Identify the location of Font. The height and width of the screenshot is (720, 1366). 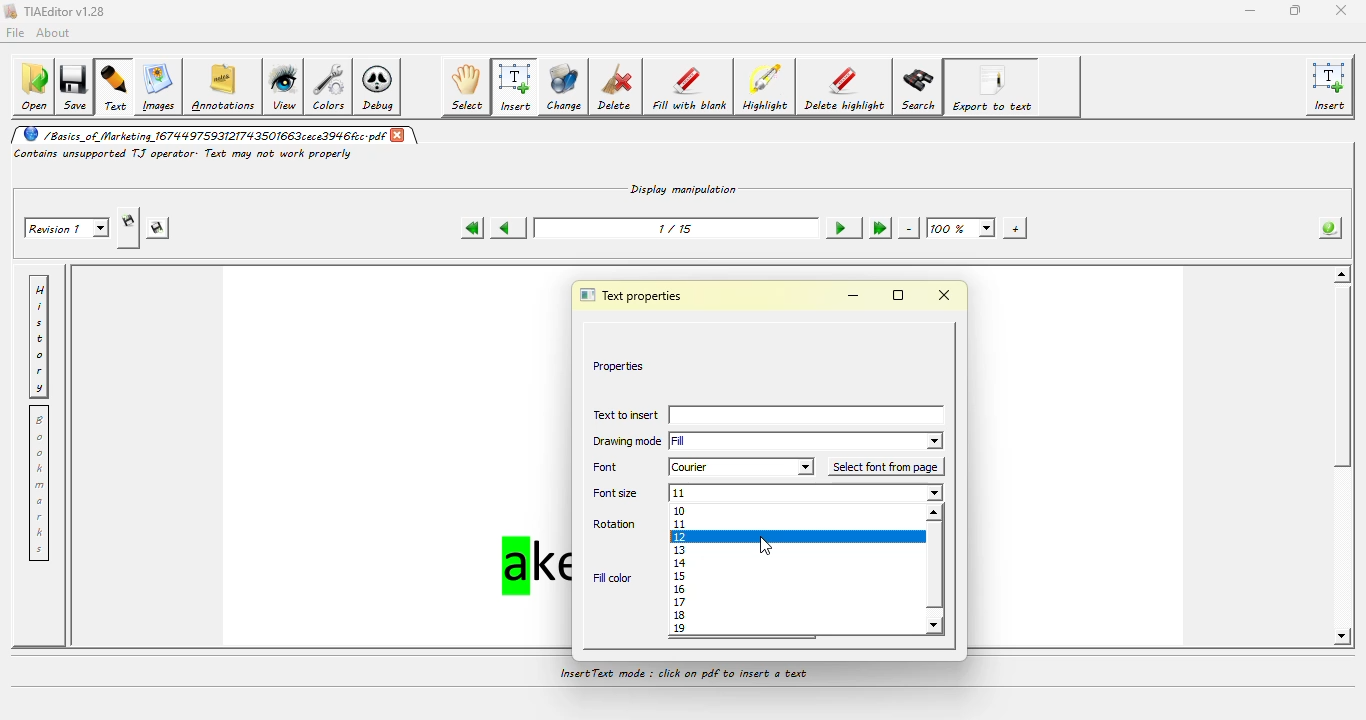
(612, 467).